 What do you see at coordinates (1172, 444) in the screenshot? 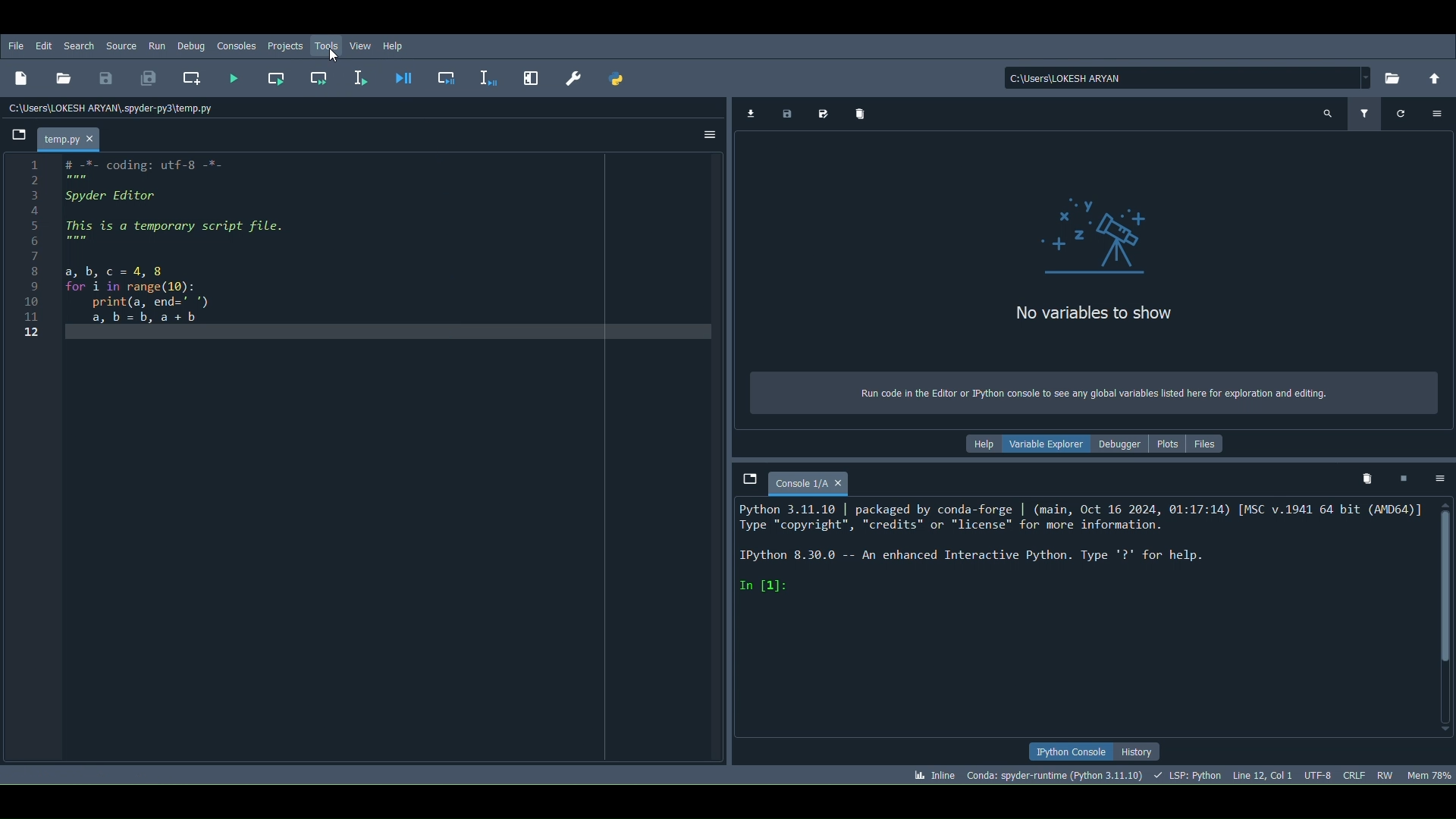
I see `Plots` at bounding box center [1172, 444].